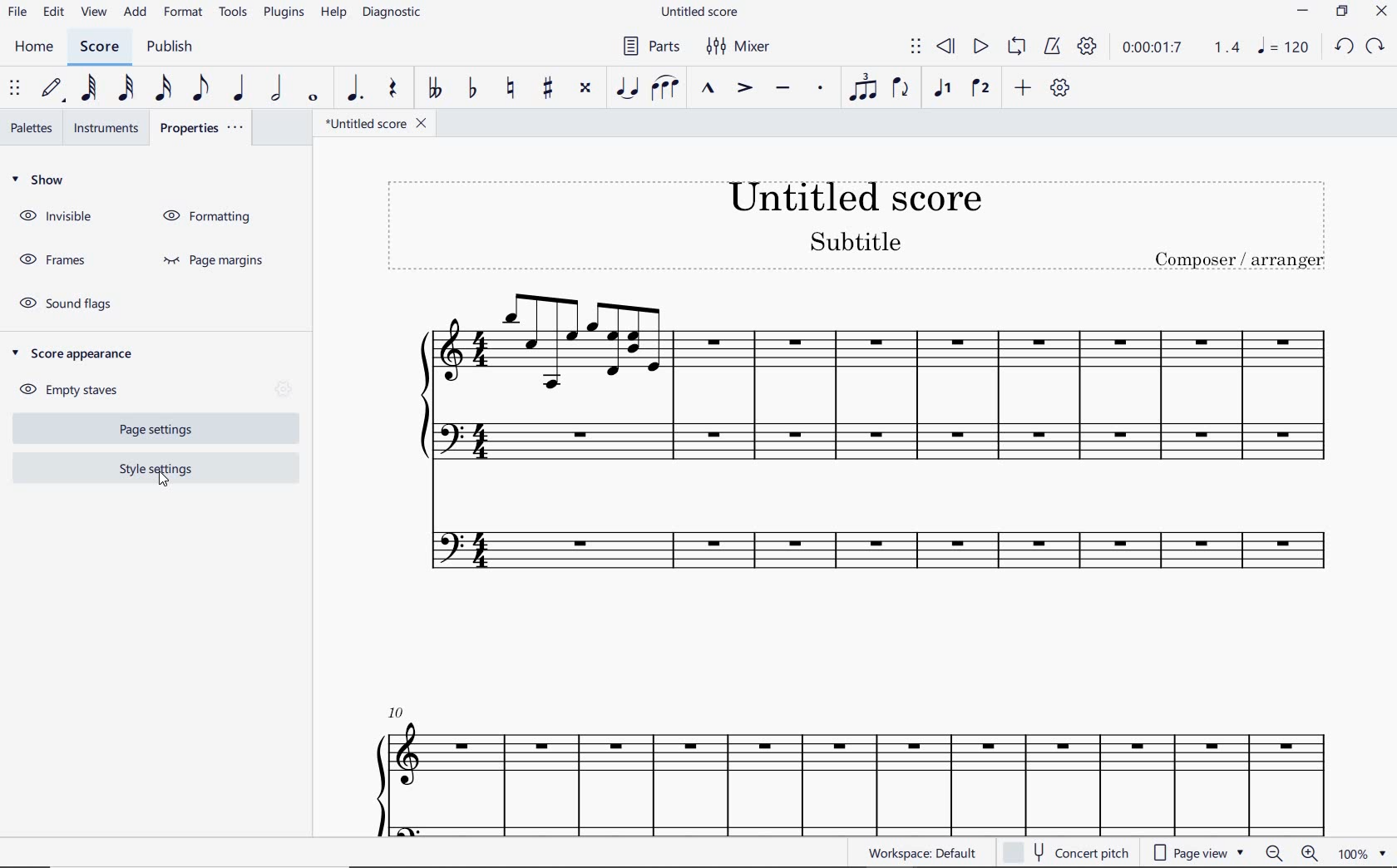 The height and width of the screenshot is (868, 1397). What do you see at coordinates (783, 89) in the screenshot?
I see `TENUTO` at bounding box center [783, 89].